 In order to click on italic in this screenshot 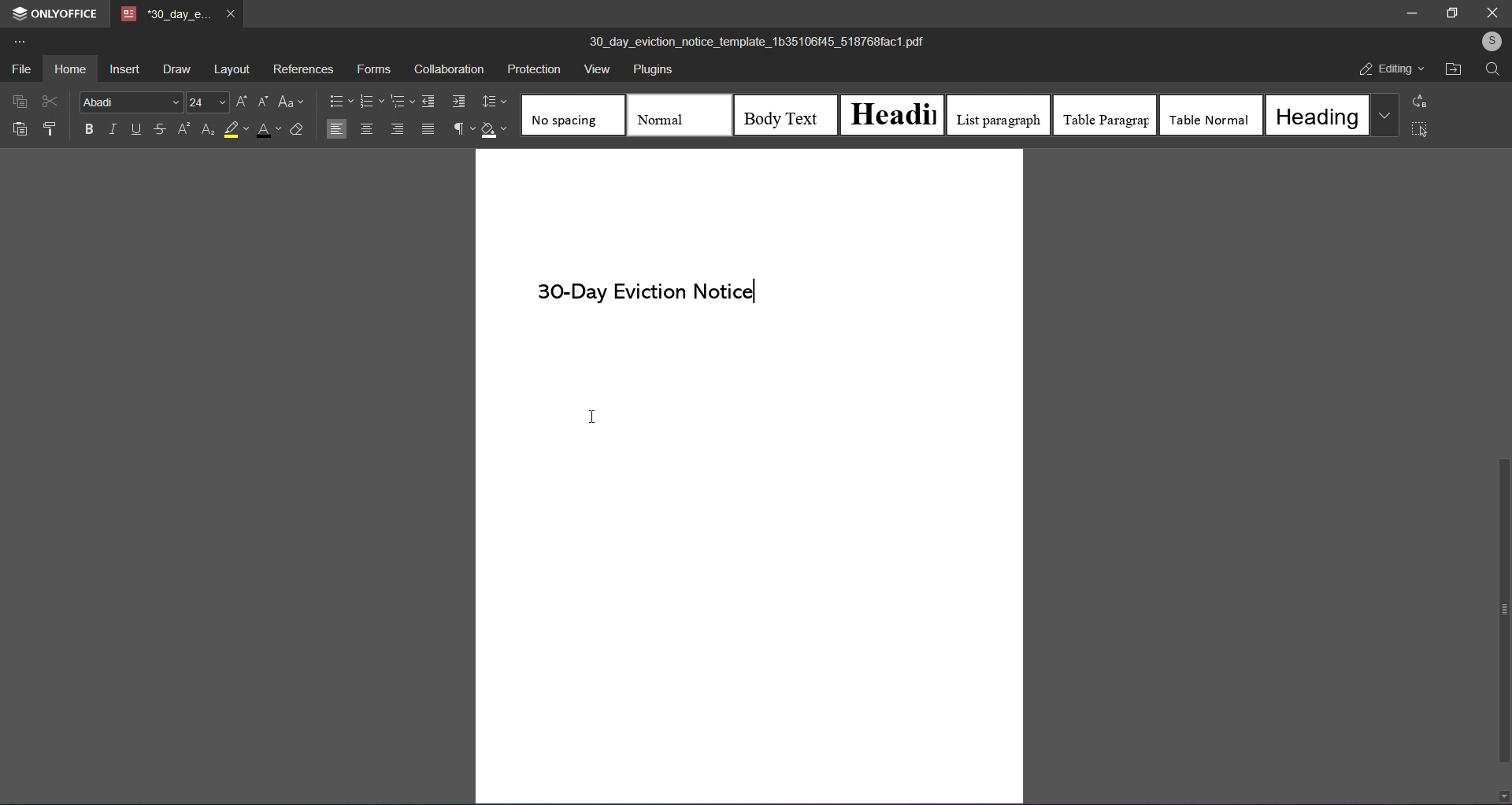, I will do `click(111, 128)`.